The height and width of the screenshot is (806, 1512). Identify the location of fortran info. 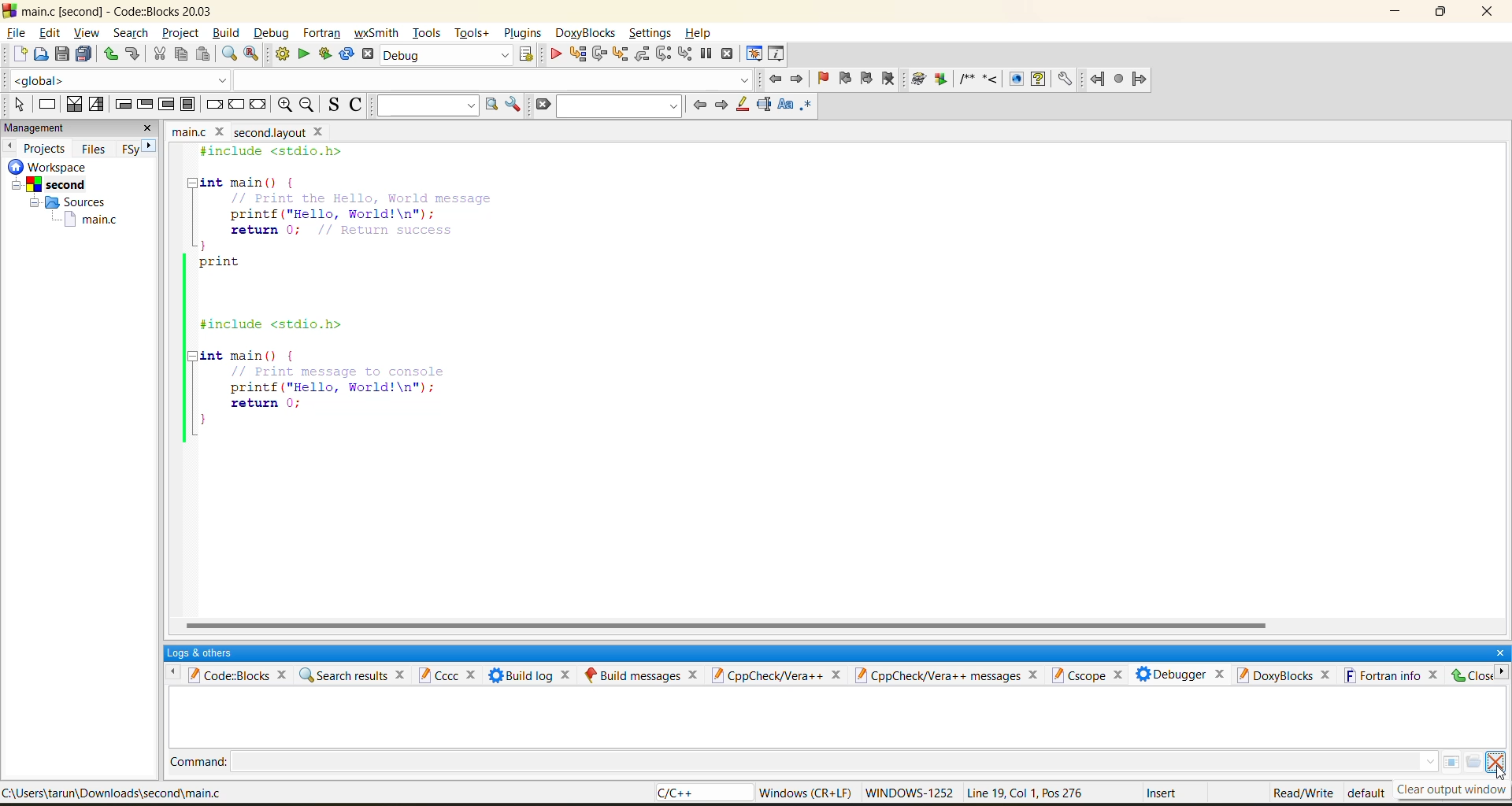
(1390, 675).